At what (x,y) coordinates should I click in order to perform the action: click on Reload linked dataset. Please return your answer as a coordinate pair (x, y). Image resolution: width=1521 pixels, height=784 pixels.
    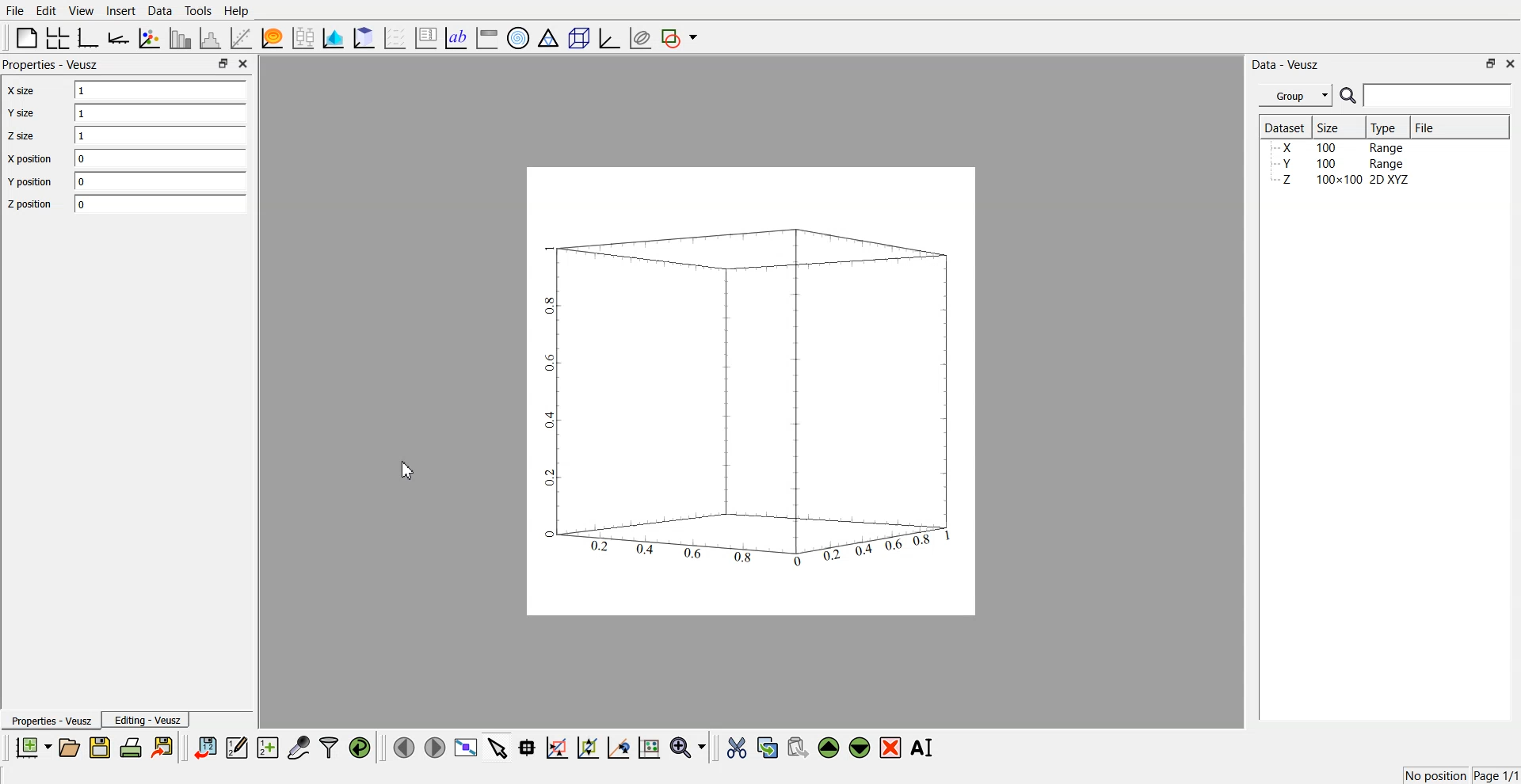
    Looking at the image, I should click on (360, 748).